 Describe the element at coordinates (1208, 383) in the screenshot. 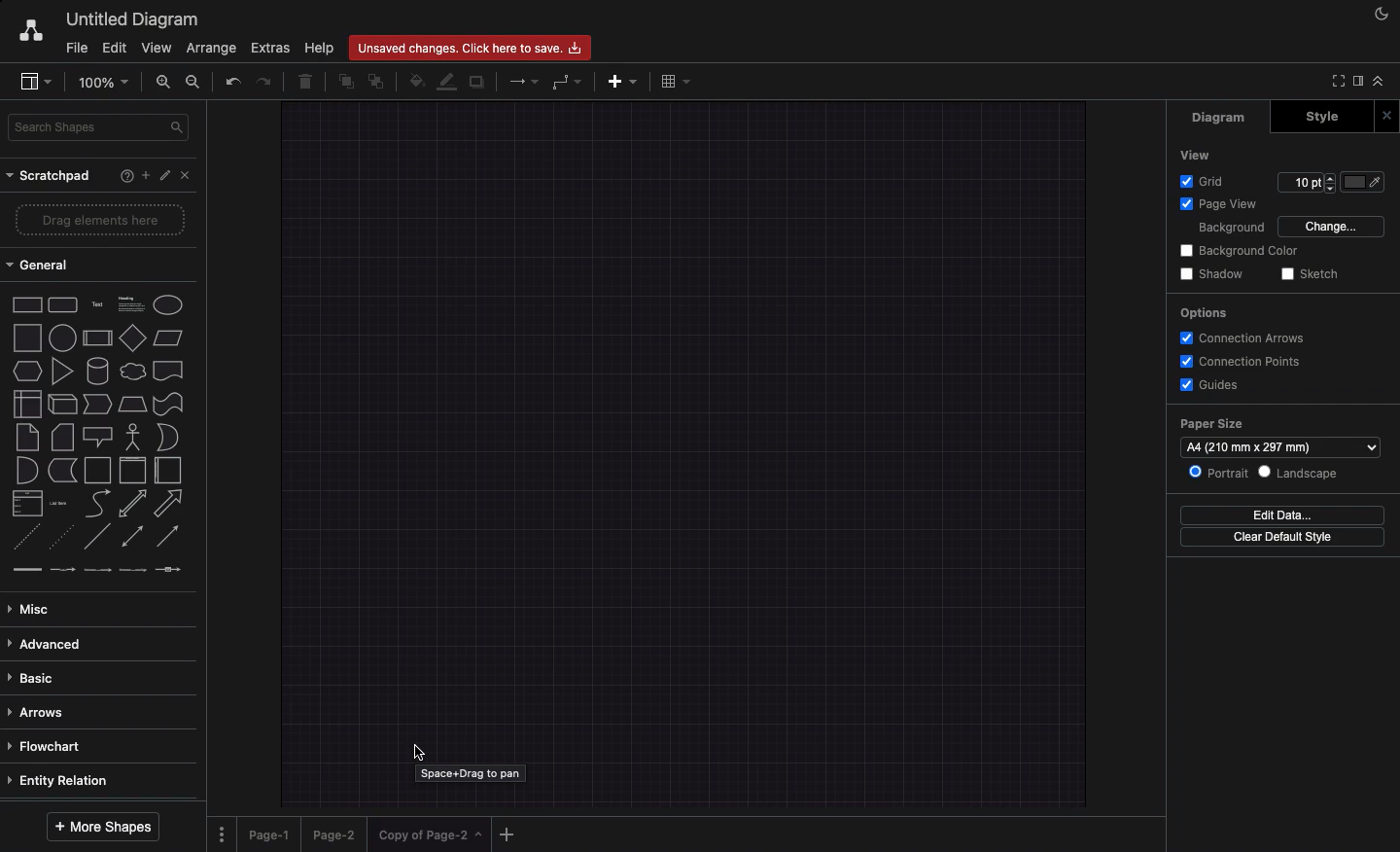

I see `Guides ` at that location.